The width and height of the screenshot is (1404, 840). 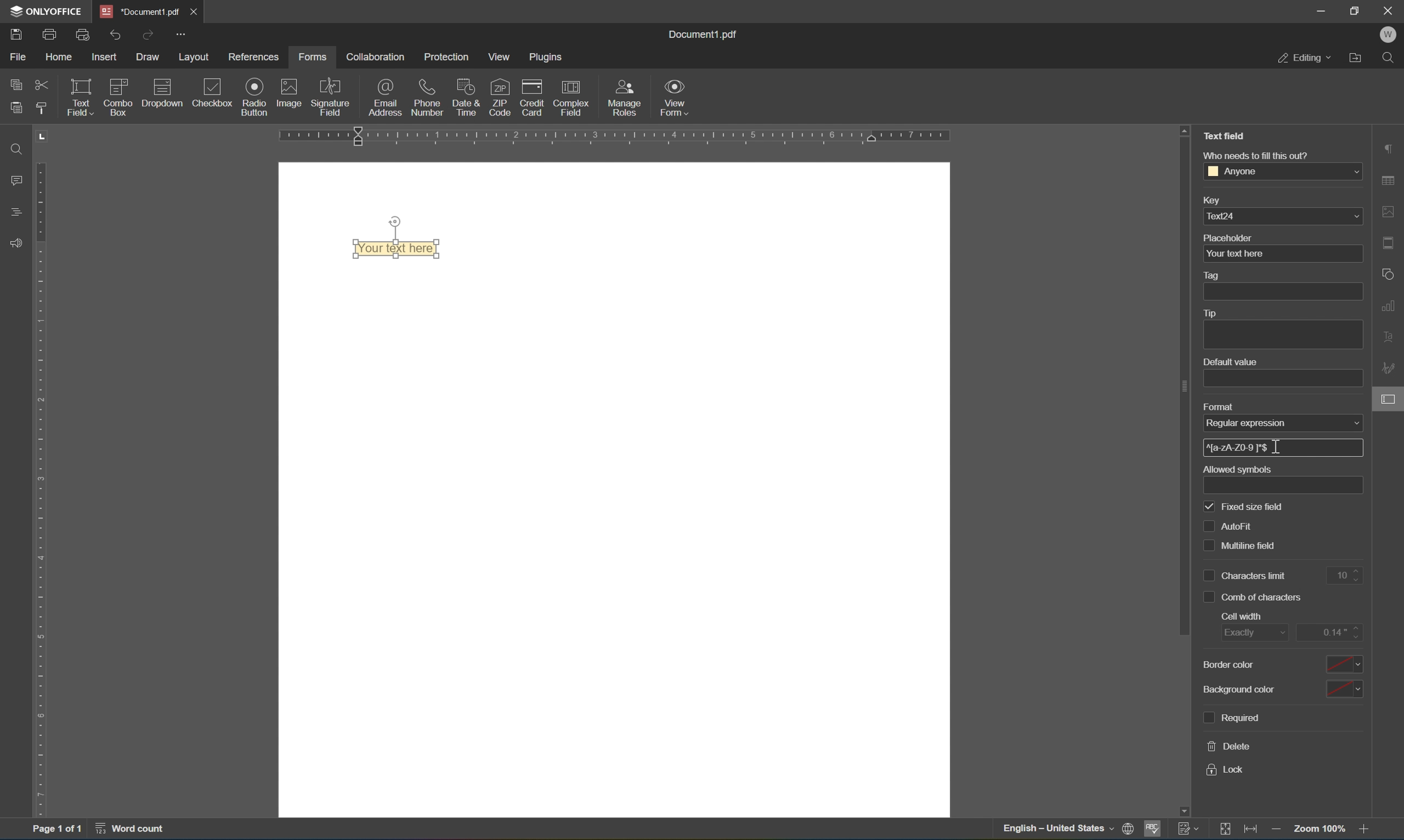 I want to click on page 1 of 1, so click(x=55, y=830).